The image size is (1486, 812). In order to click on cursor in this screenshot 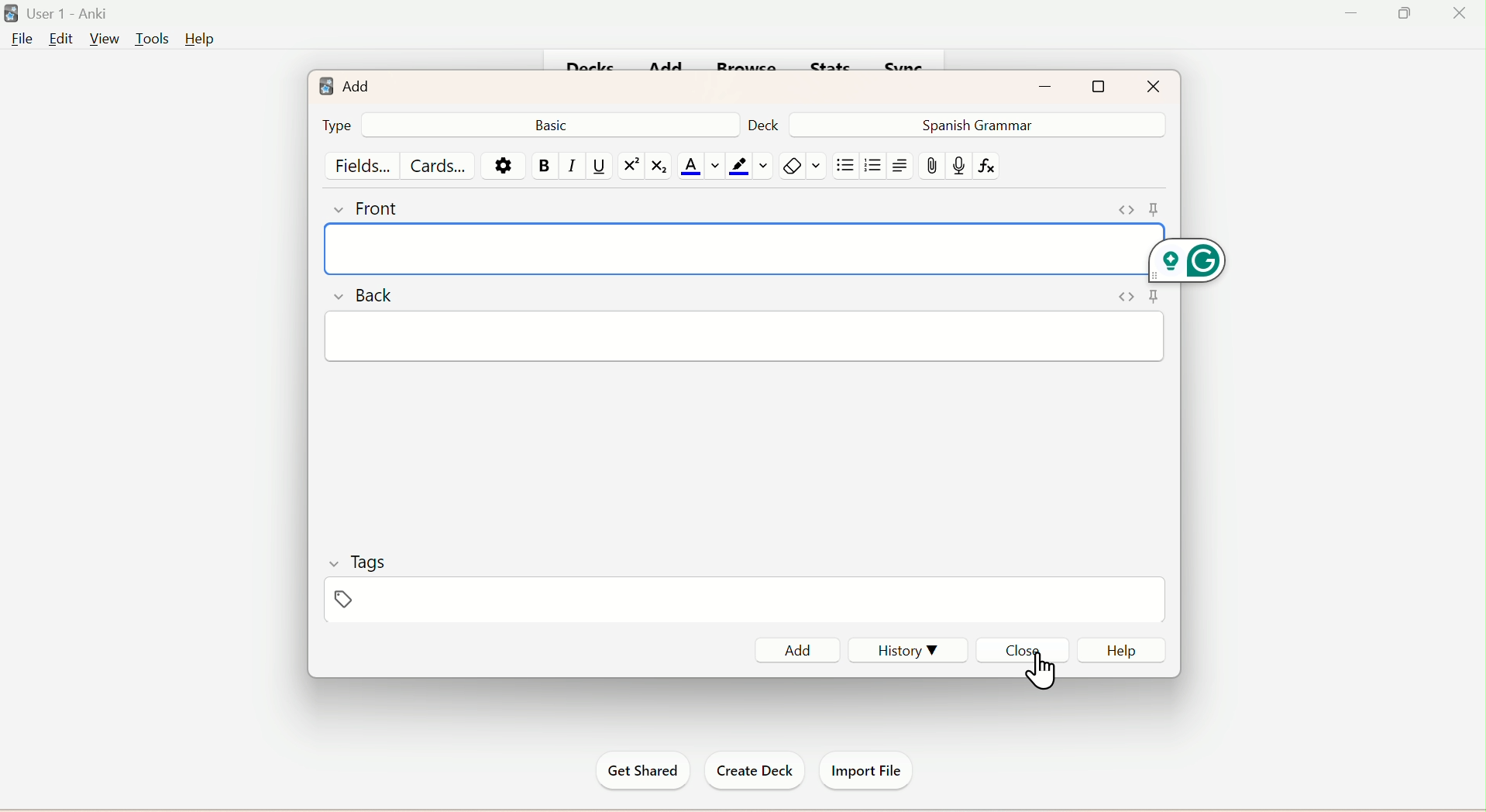, I will do `click(1044, 680)`.